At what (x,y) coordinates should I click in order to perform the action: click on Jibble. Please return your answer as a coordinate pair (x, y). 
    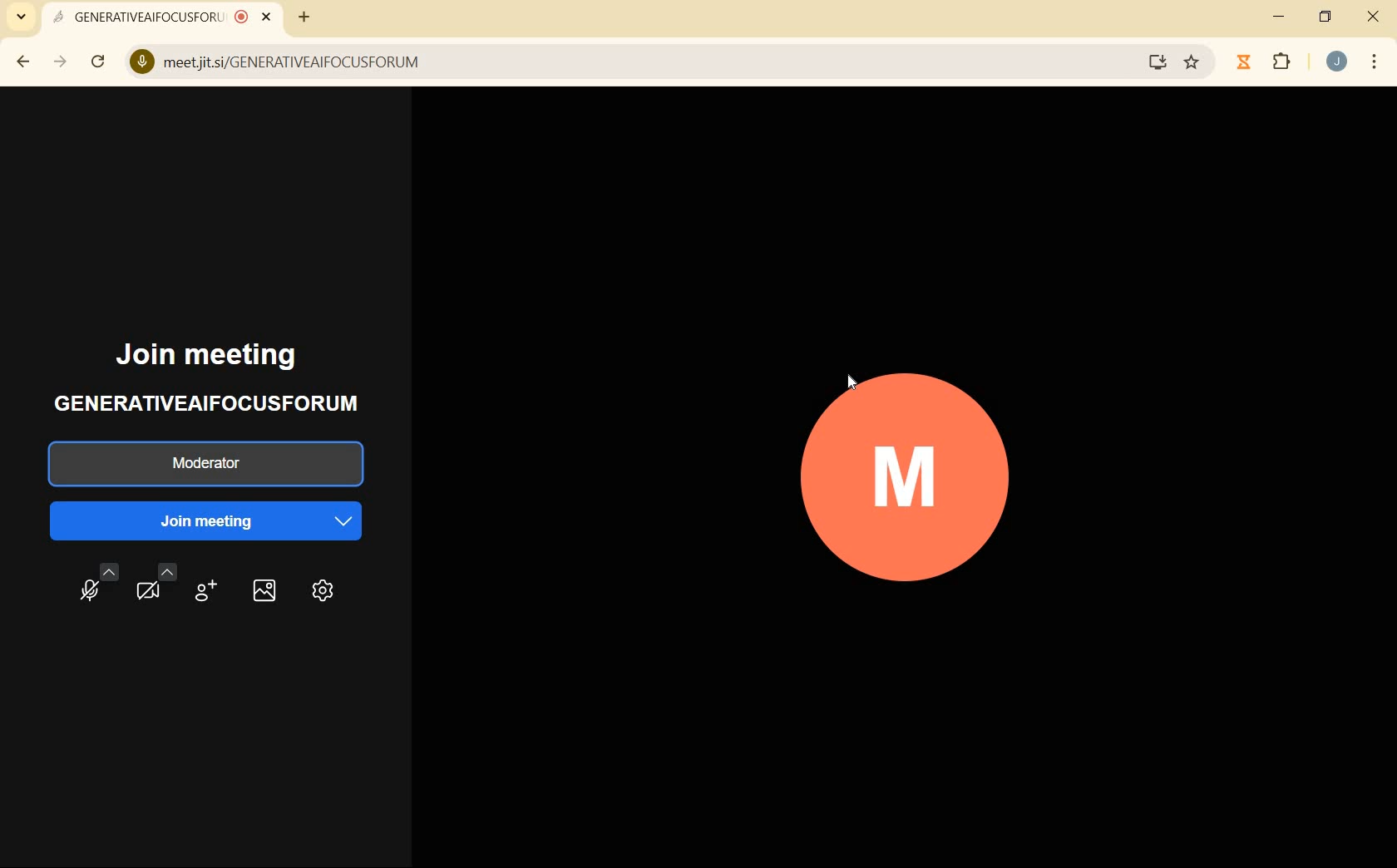
    Looking at the image, I should click on (1242, 63).